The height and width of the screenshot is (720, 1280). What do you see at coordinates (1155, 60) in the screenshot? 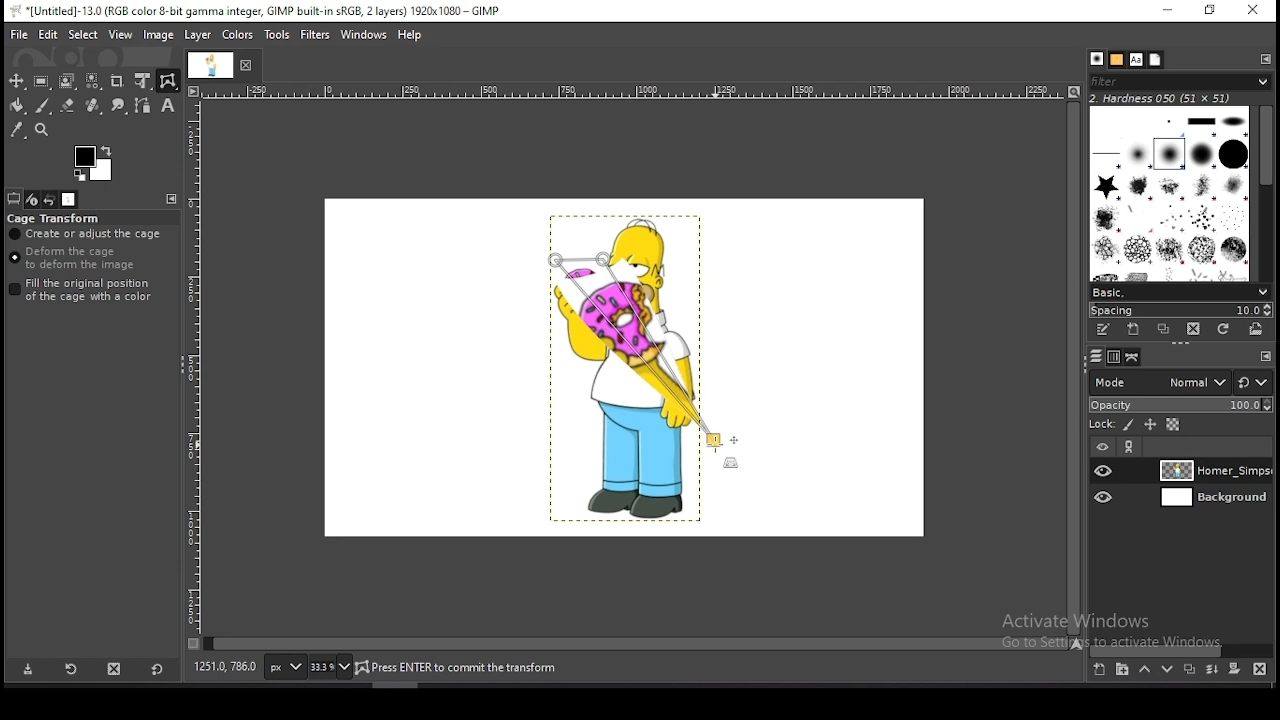
I see `document history` at bounding box center [1155, 60].